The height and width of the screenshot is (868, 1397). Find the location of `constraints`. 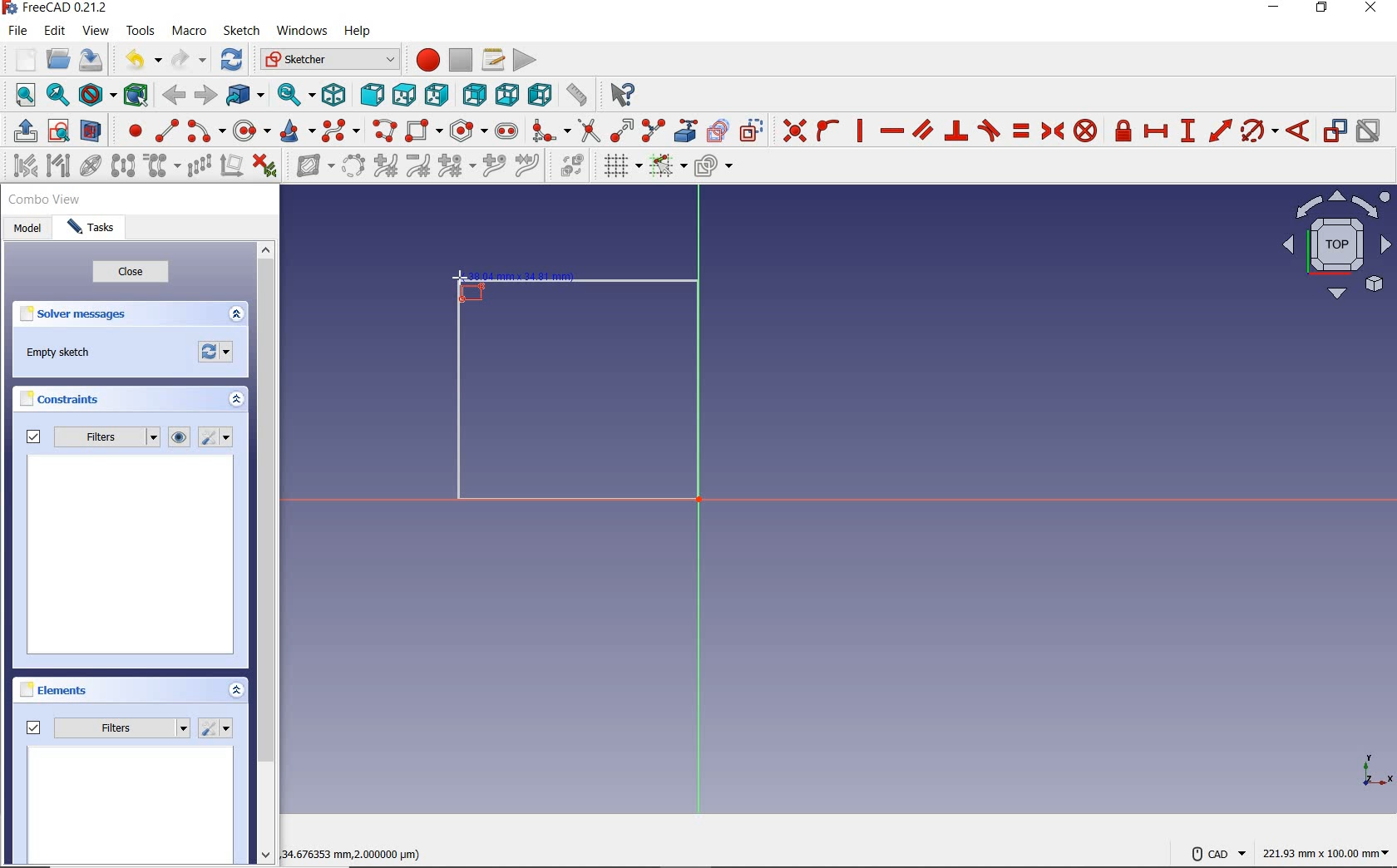

constraints is located at coordinates (64, 402).